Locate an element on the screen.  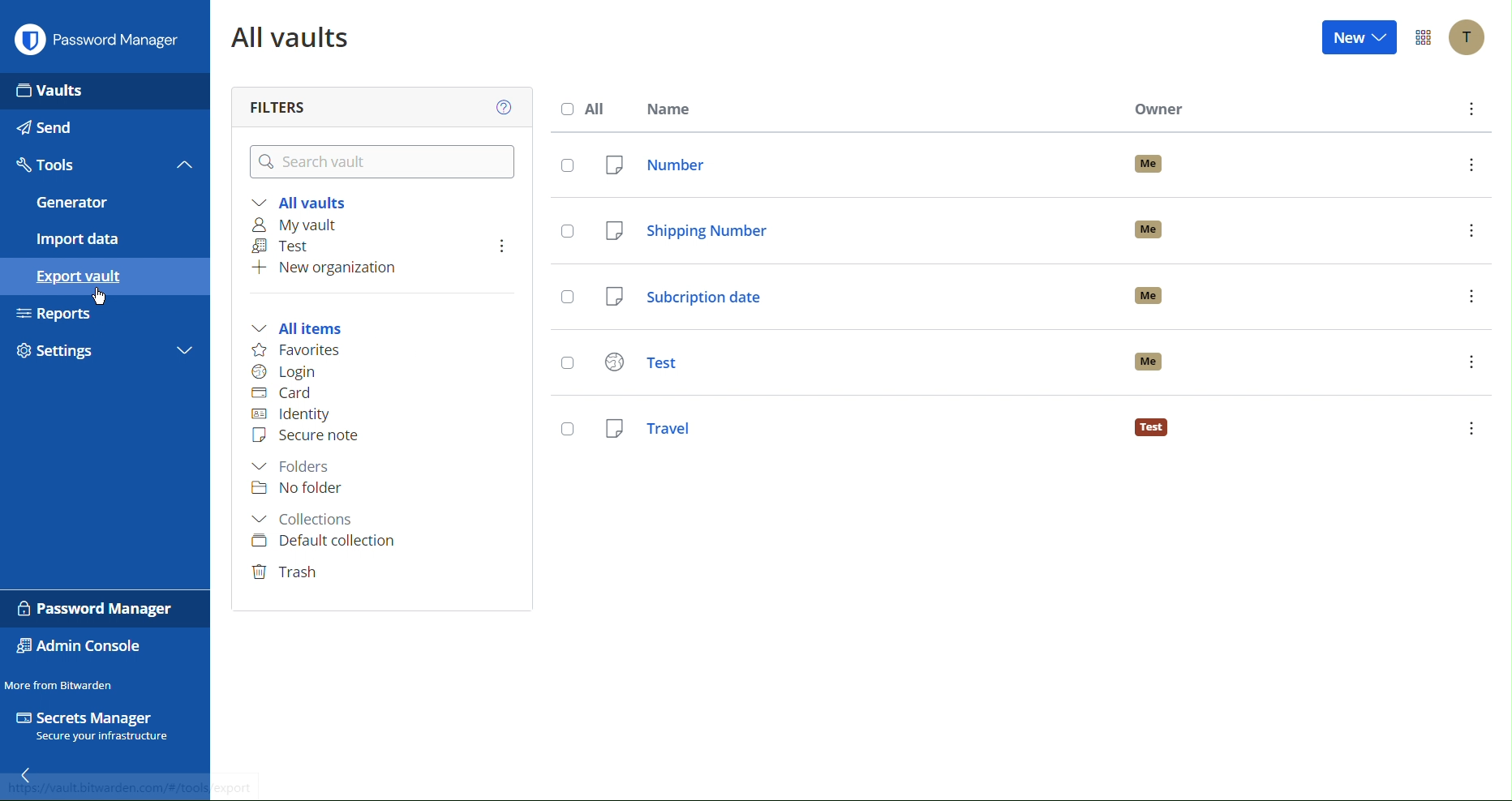
All is located at coordinates (587, 109).